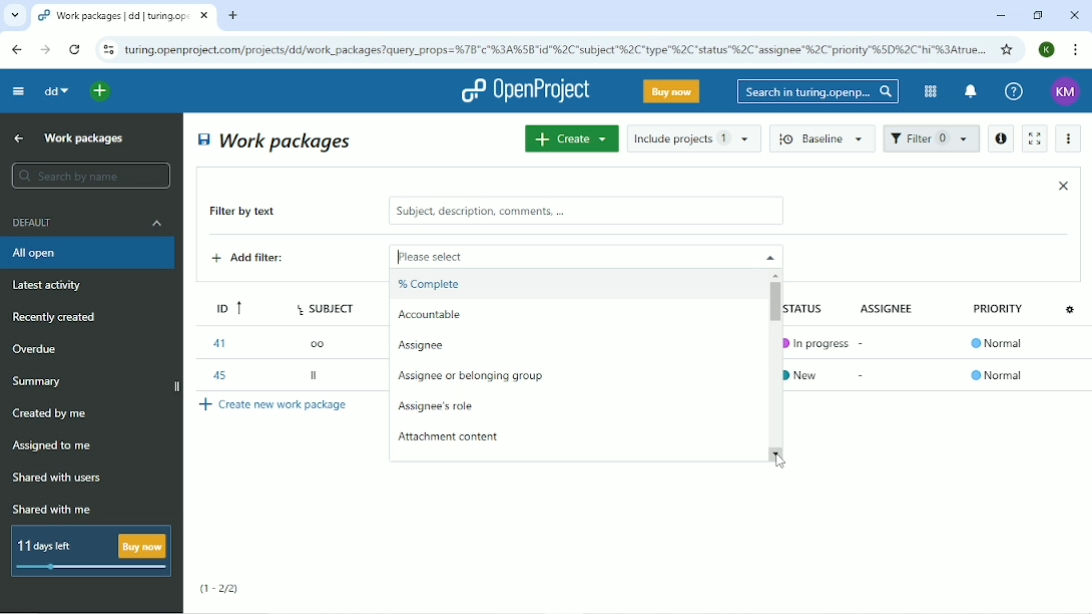 The height and width of the screenshot is (614, 1092). Describe the element at coordinates (815, 340) in the screenshot. I see `In progress` at that location.